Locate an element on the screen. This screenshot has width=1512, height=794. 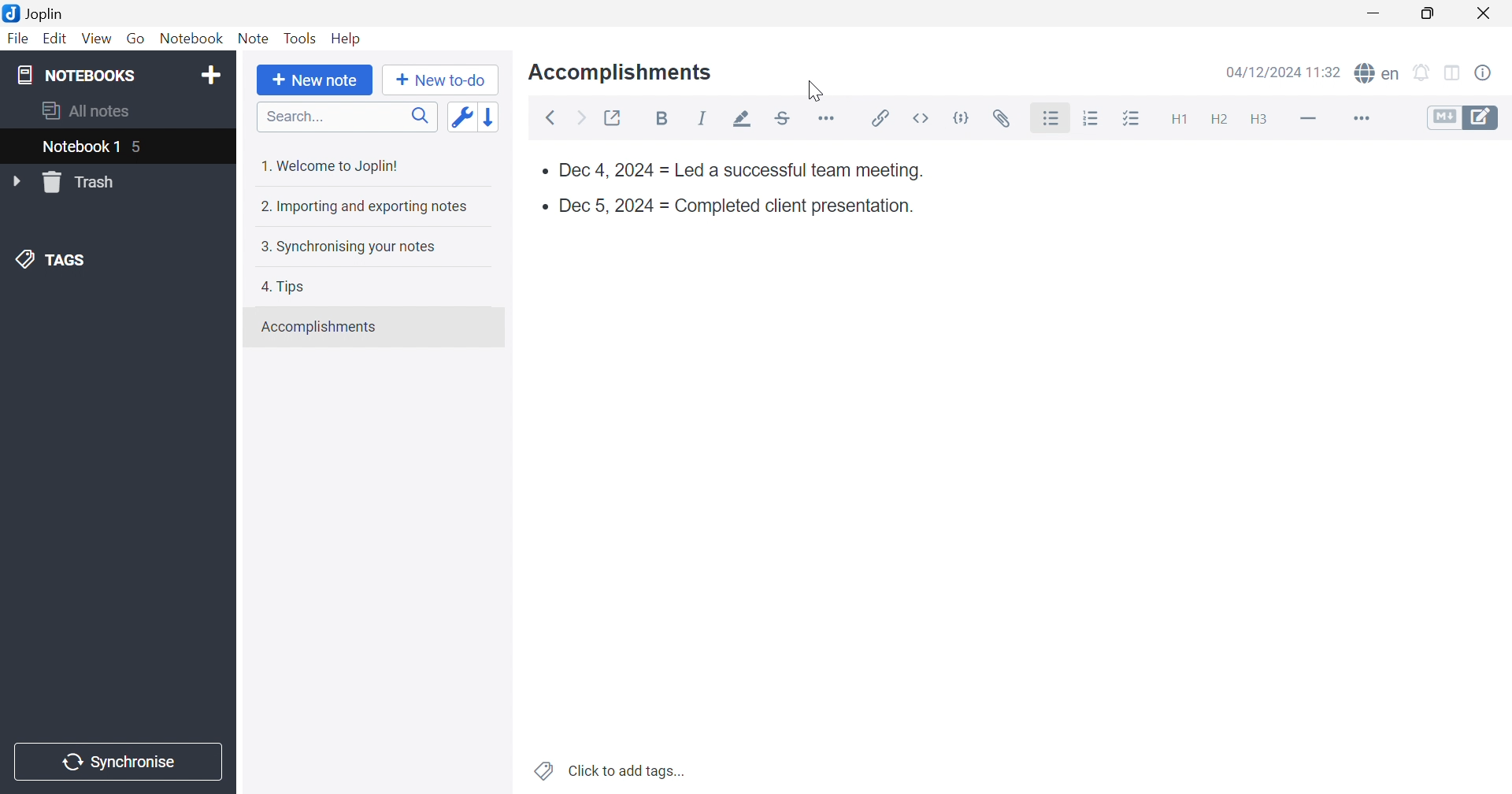
NOTEBOOKS is located at coordinates (73, 73).